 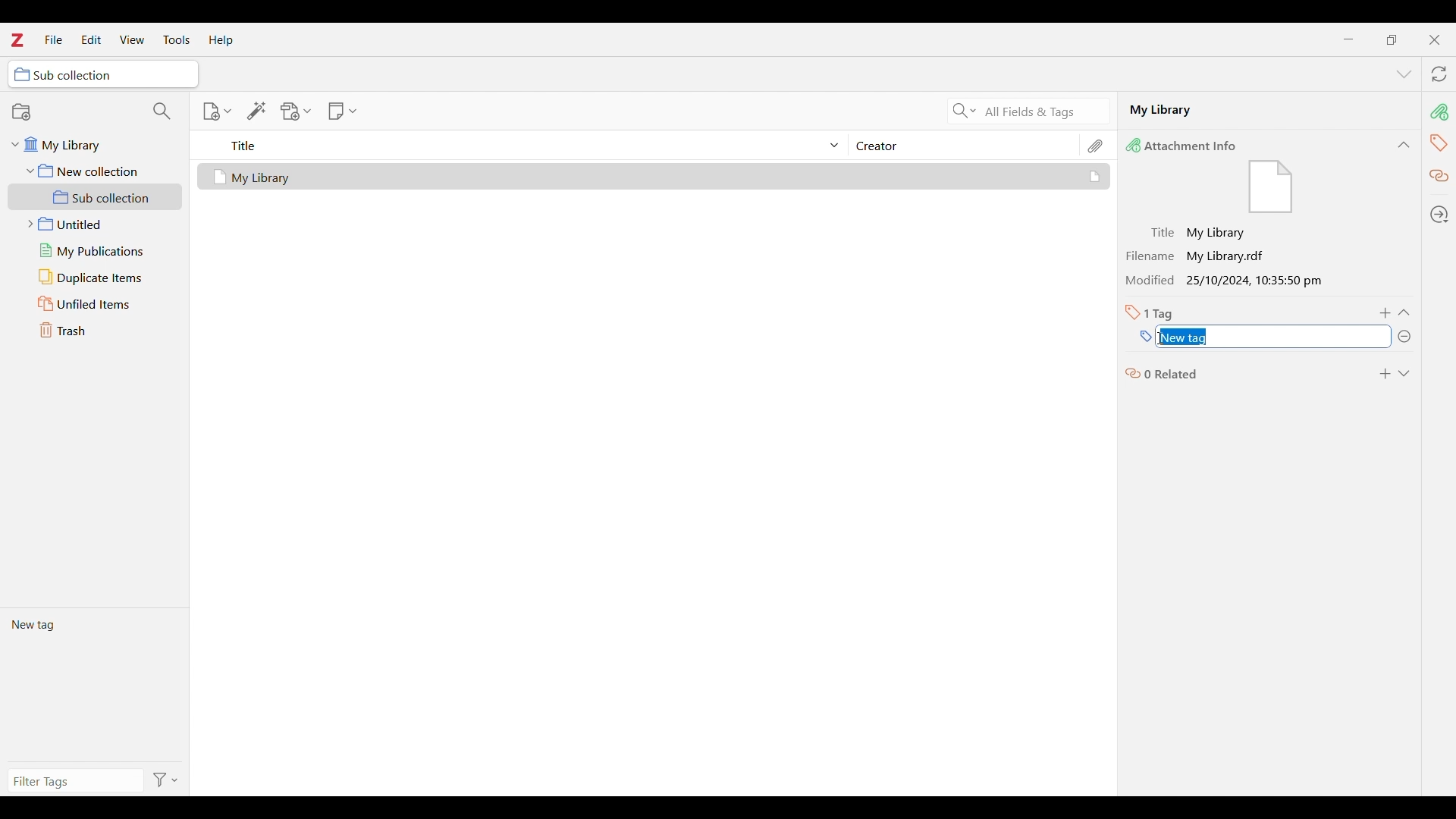 I want to click on Add attachment options, so click(x=297, y=111).